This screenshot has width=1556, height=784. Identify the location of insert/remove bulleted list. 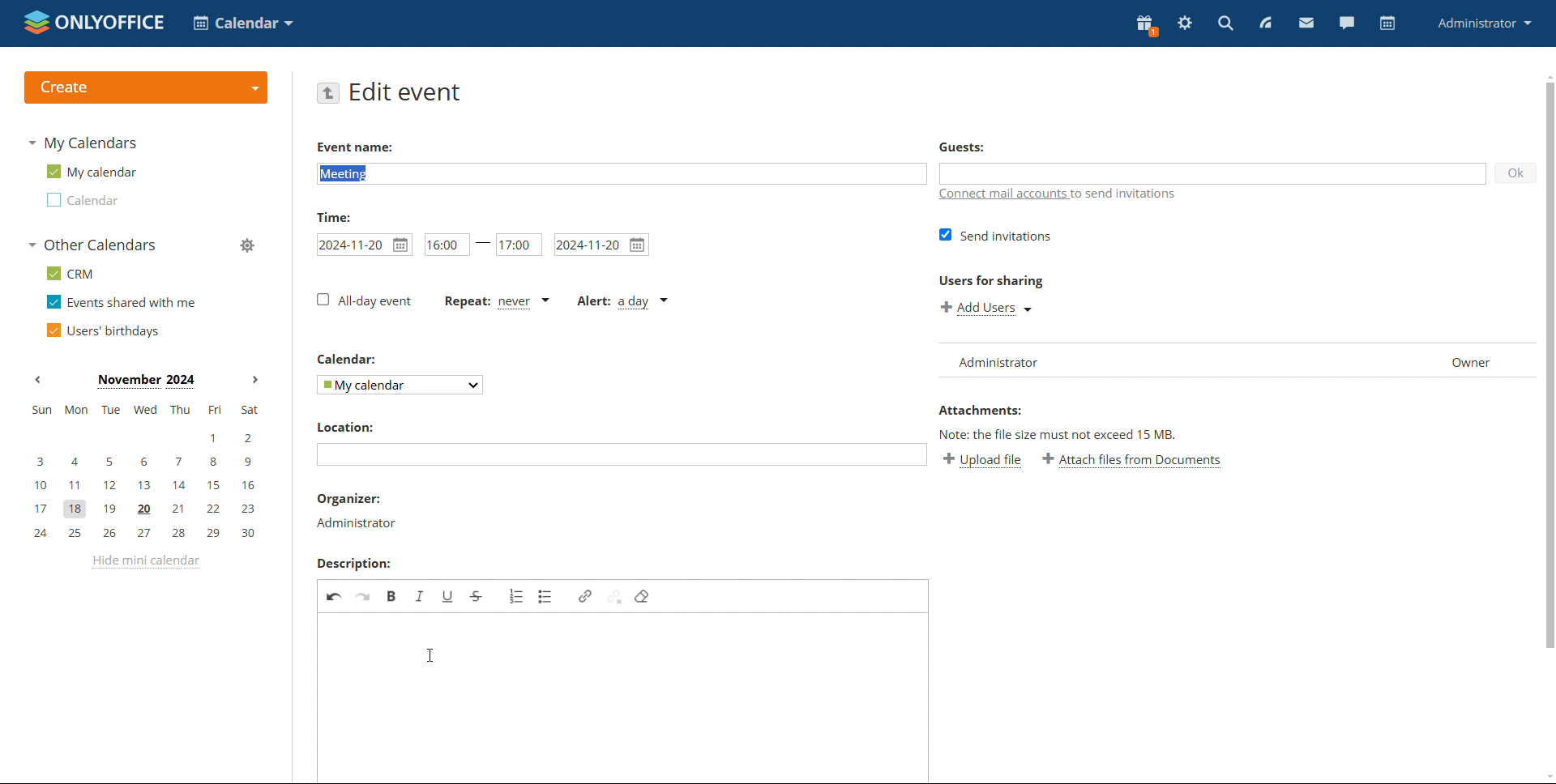
(547, 596).